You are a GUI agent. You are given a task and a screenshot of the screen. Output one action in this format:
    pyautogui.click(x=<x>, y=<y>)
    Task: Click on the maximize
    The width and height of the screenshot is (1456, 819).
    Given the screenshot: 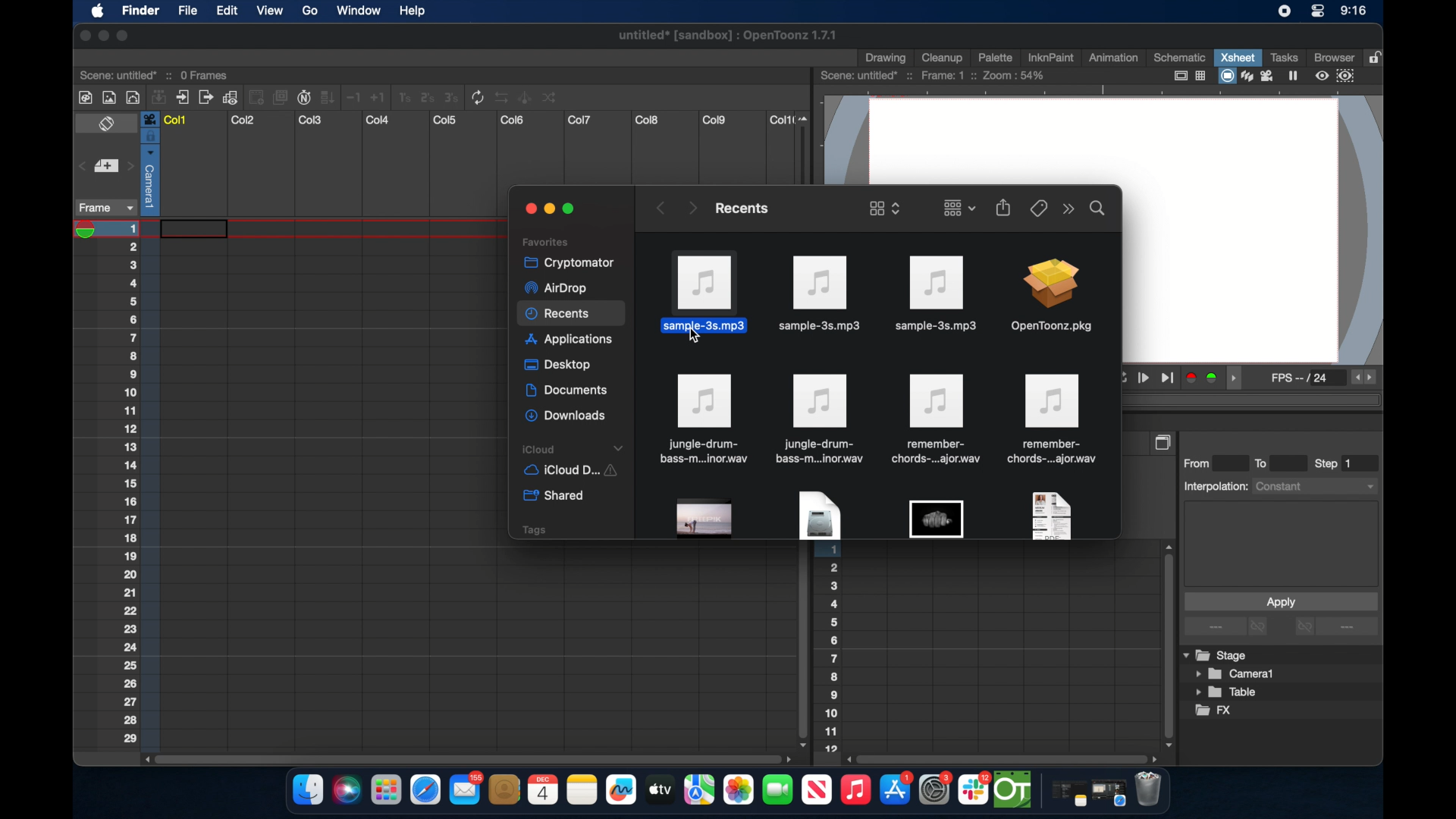 What is the action you would take?
    pyautogui.click(x=572, y=209)
    